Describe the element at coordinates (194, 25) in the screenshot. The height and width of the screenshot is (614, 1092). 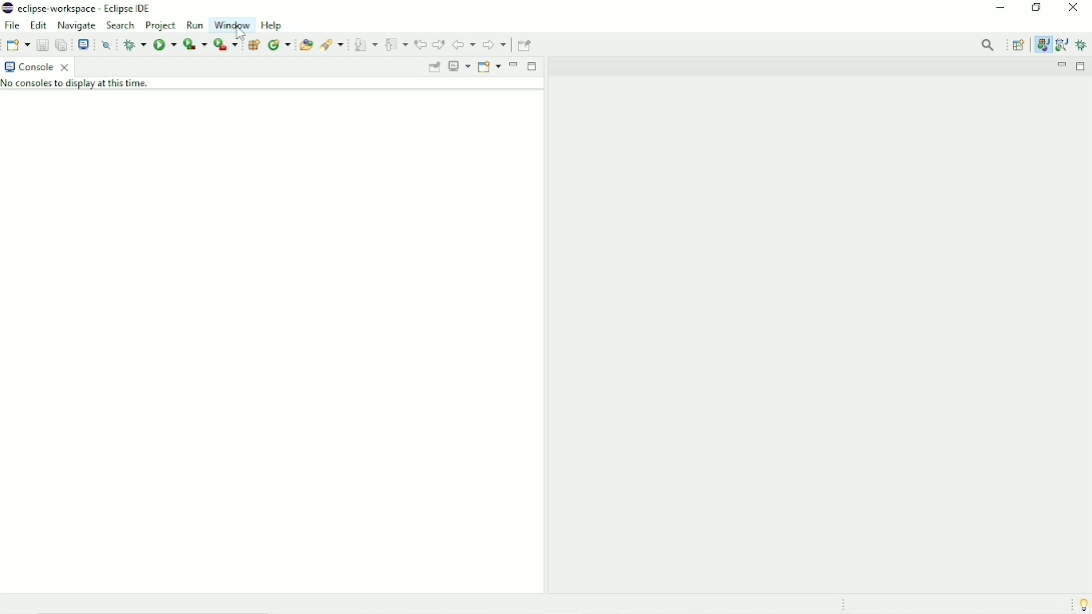
I see `Run` at that location.